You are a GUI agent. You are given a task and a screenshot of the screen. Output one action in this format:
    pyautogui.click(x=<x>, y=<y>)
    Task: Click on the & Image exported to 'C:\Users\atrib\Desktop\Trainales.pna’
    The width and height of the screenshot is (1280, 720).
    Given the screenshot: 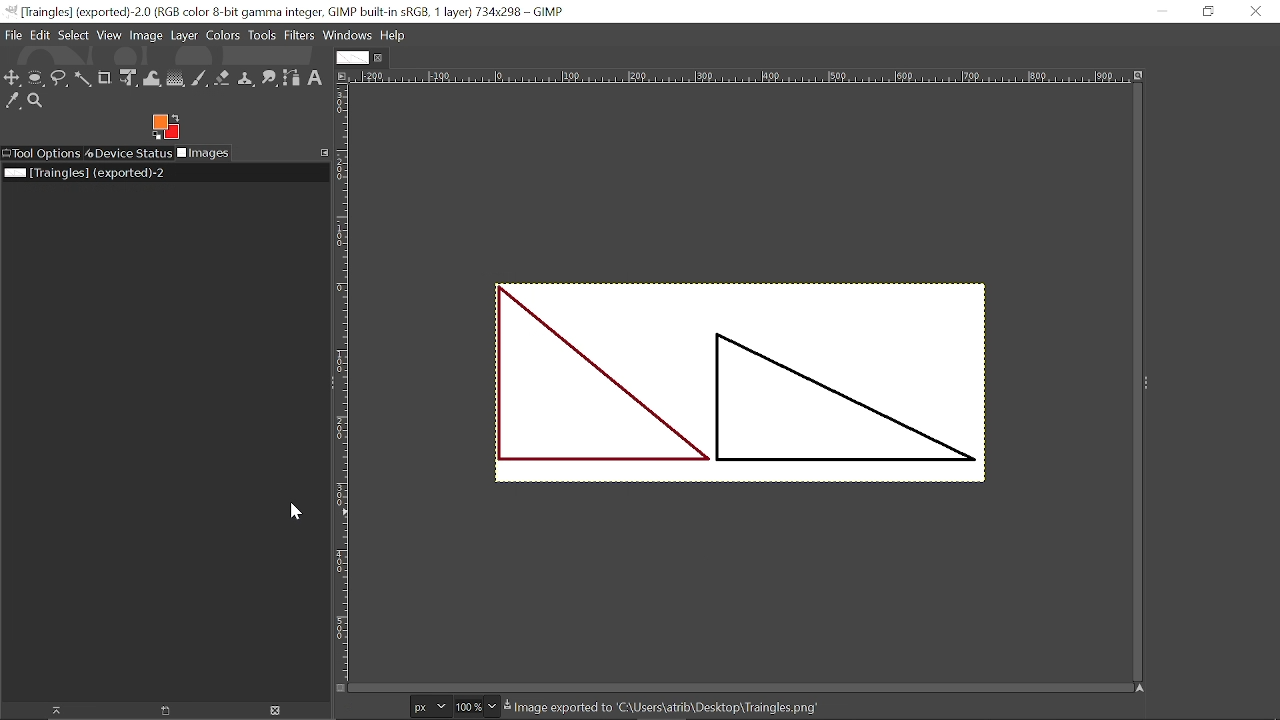 What is the action you would take?
    pyautogui.click(x=674, y=707)
    